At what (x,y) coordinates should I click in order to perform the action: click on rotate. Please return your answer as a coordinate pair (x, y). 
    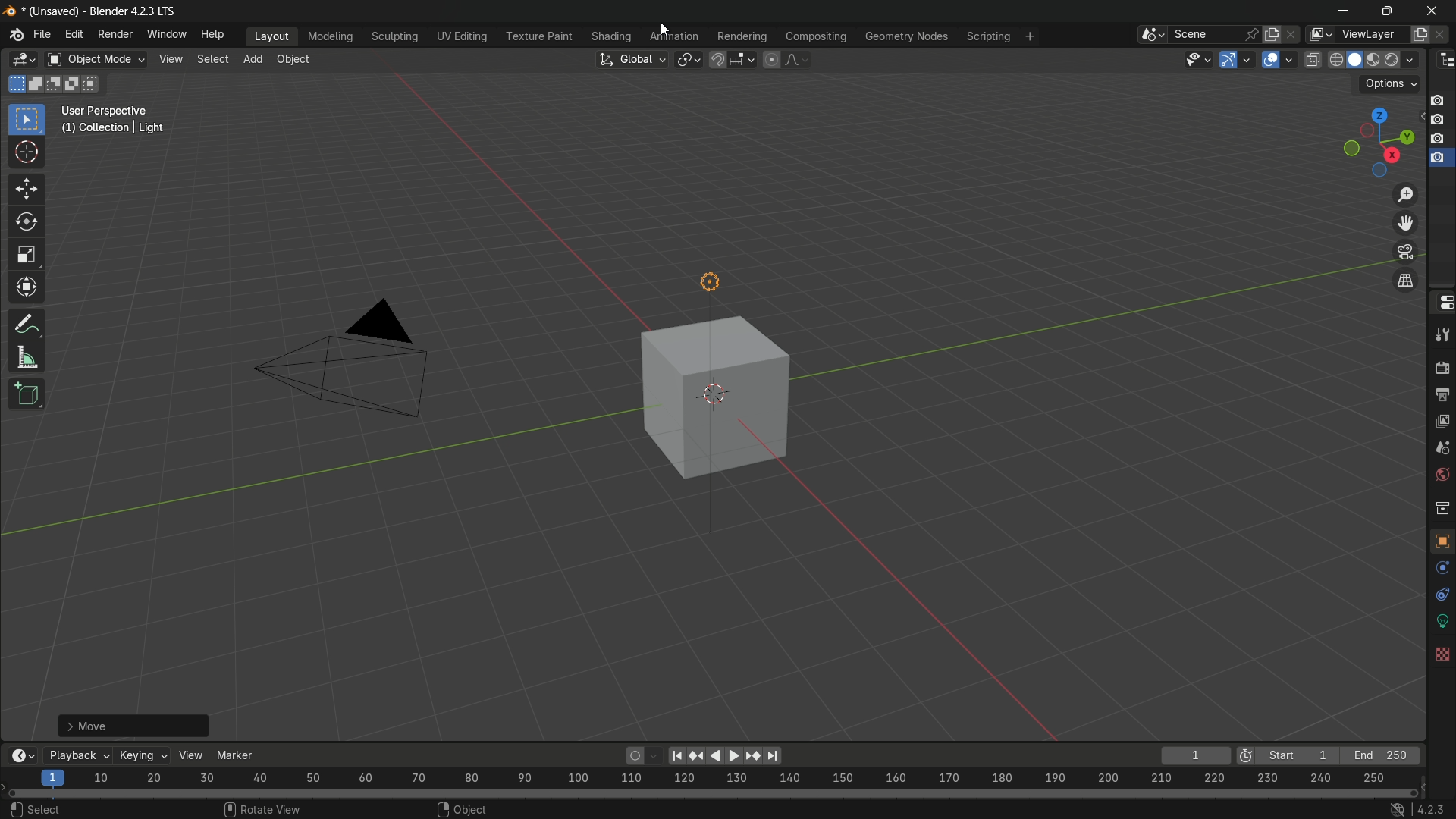
    Looking at the image, I should click on (28, 222).